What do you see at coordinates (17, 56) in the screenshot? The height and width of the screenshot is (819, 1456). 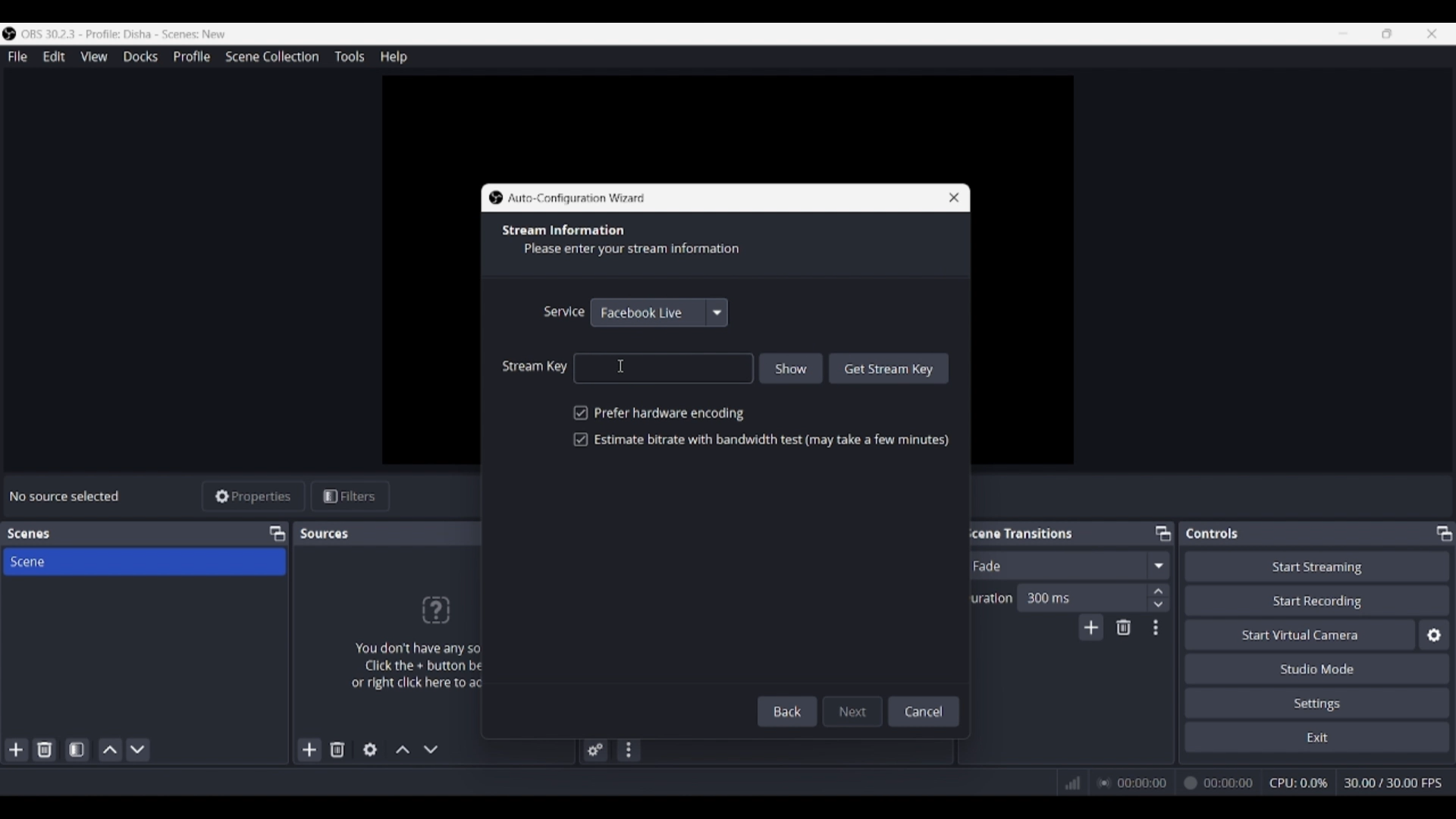 I see `File menu` at bounding box center [17, 56].